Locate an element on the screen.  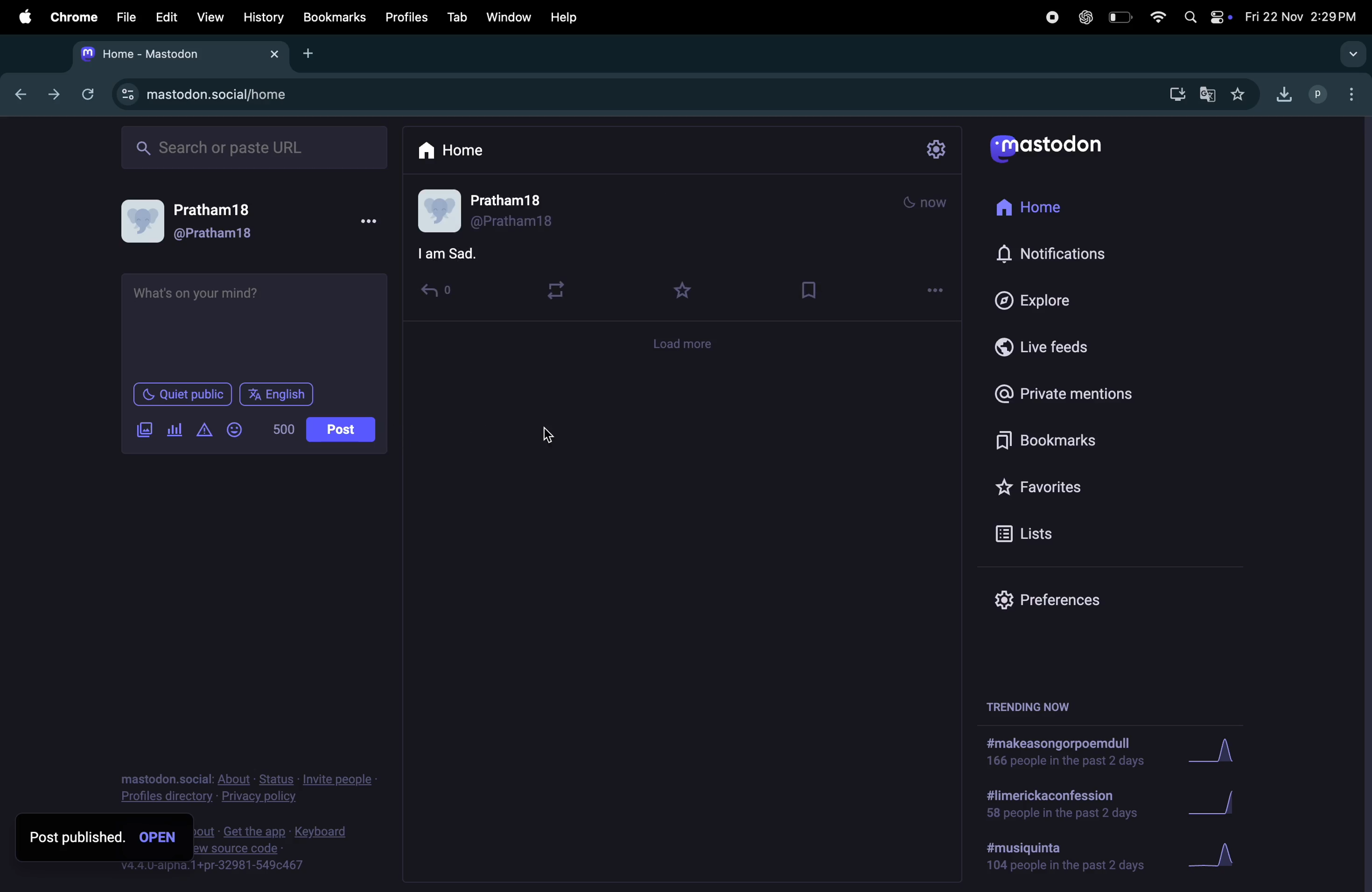
refresh is located at coordinates (88, 95).